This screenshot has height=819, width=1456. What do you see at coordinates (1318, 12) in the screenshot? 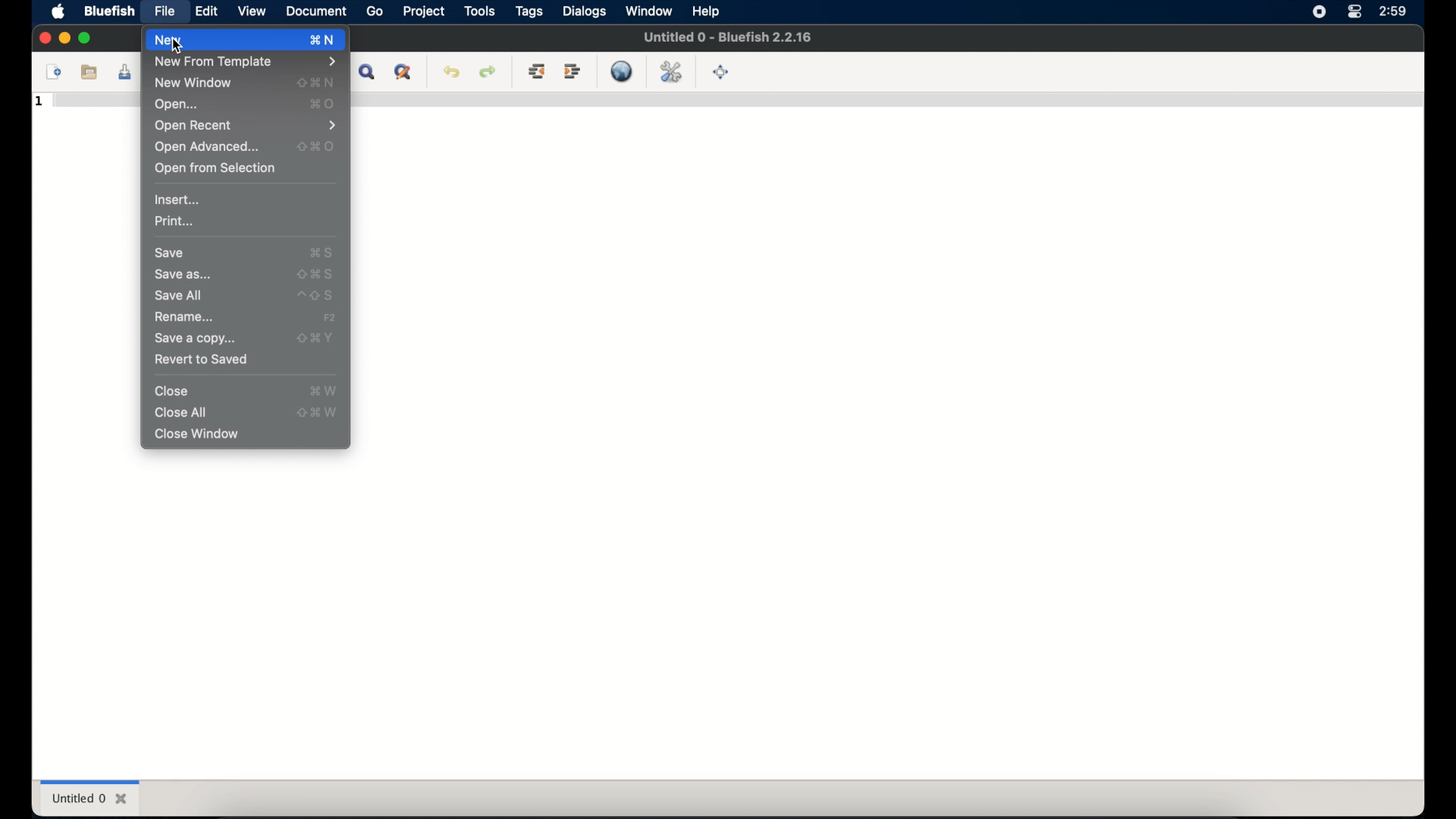
I see `screen recorder icon` at bounding box center [1318, 12].